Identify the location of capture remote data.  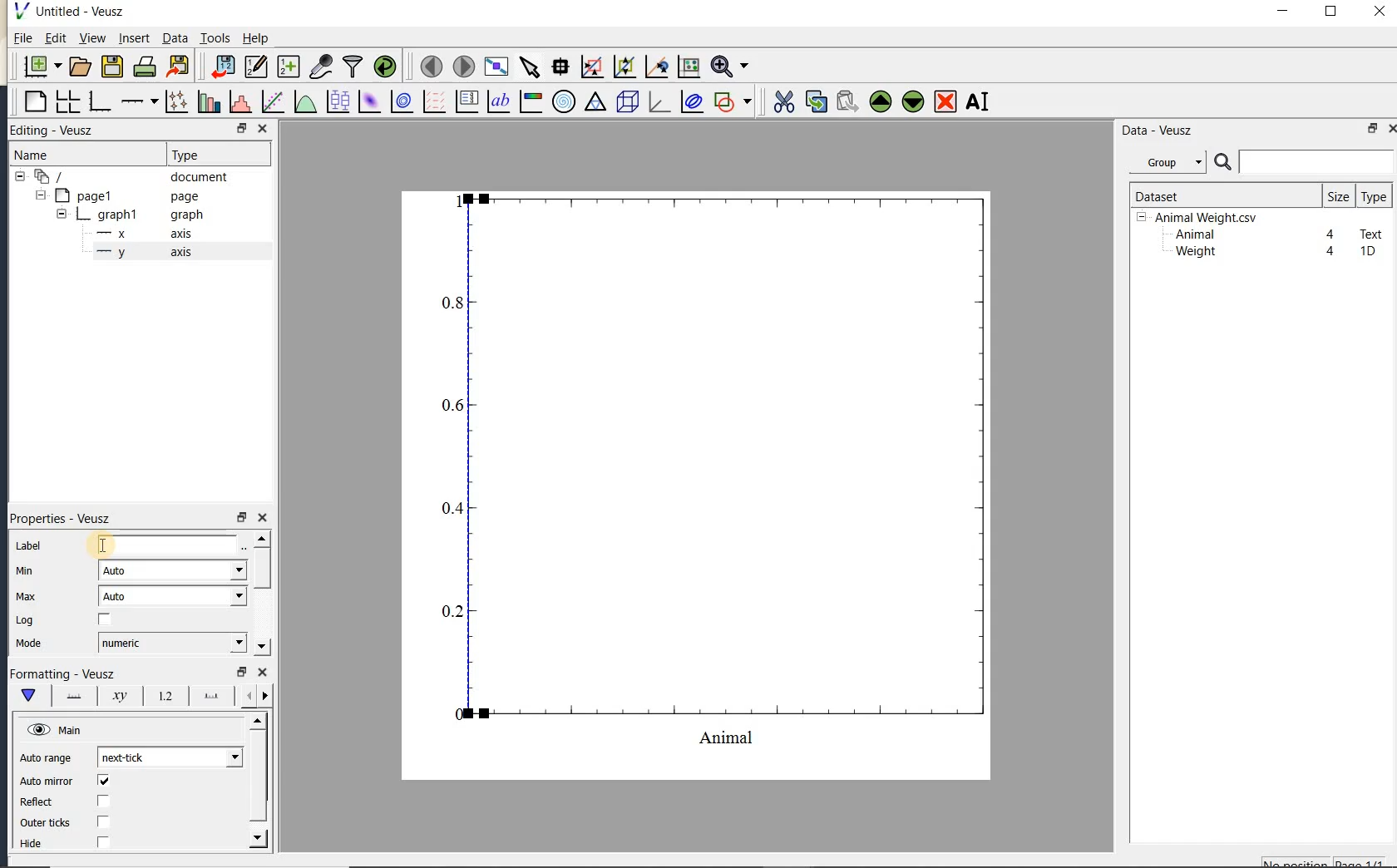
(321, 66).